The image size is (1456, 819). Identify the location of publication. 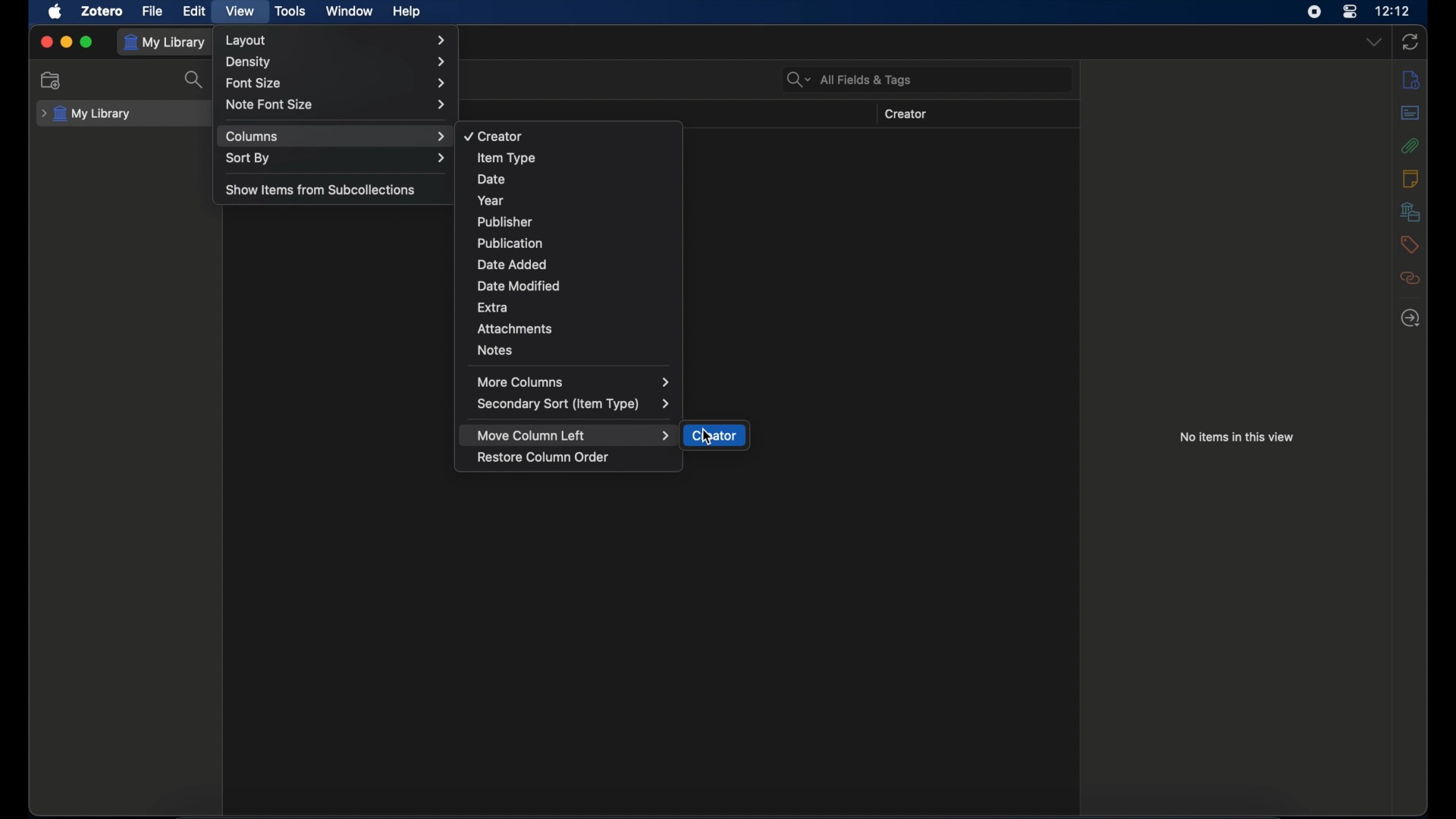
(509, 243).